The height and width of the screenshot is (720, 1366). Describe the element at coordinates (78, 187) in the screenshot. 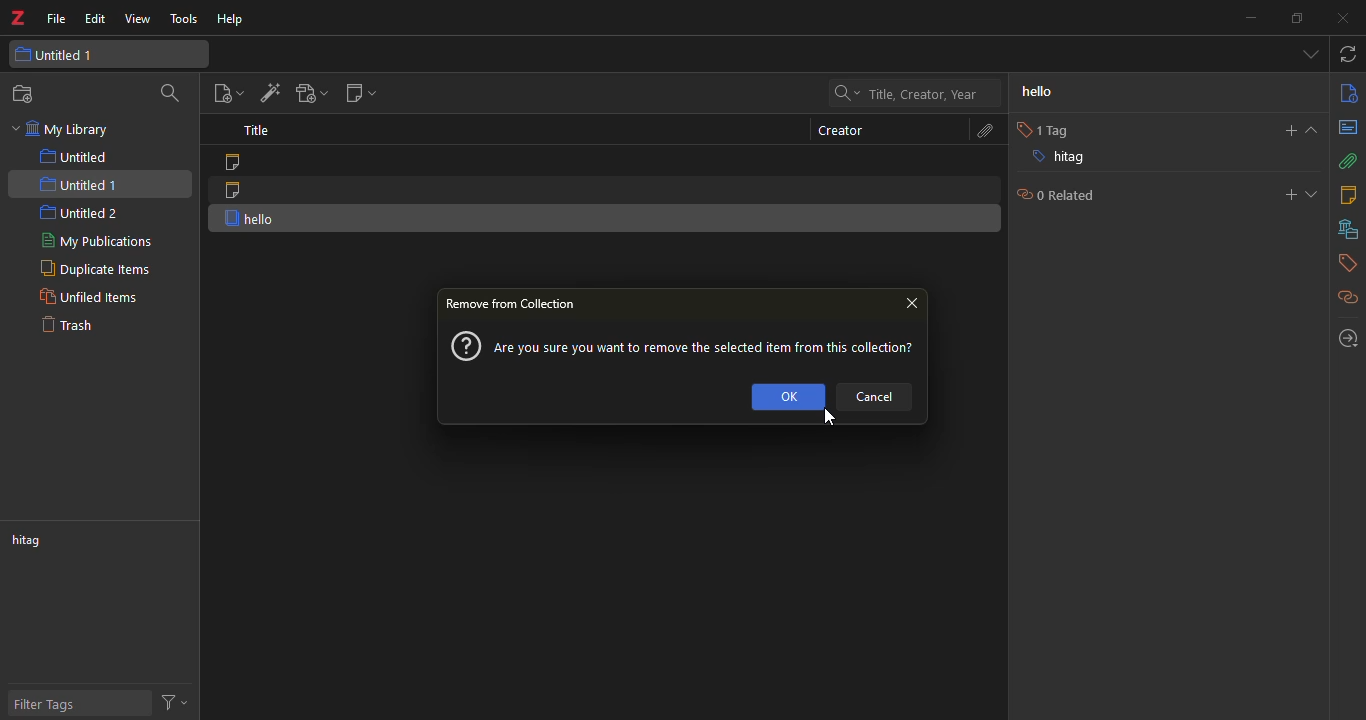

I see `untitled 1` at that location.